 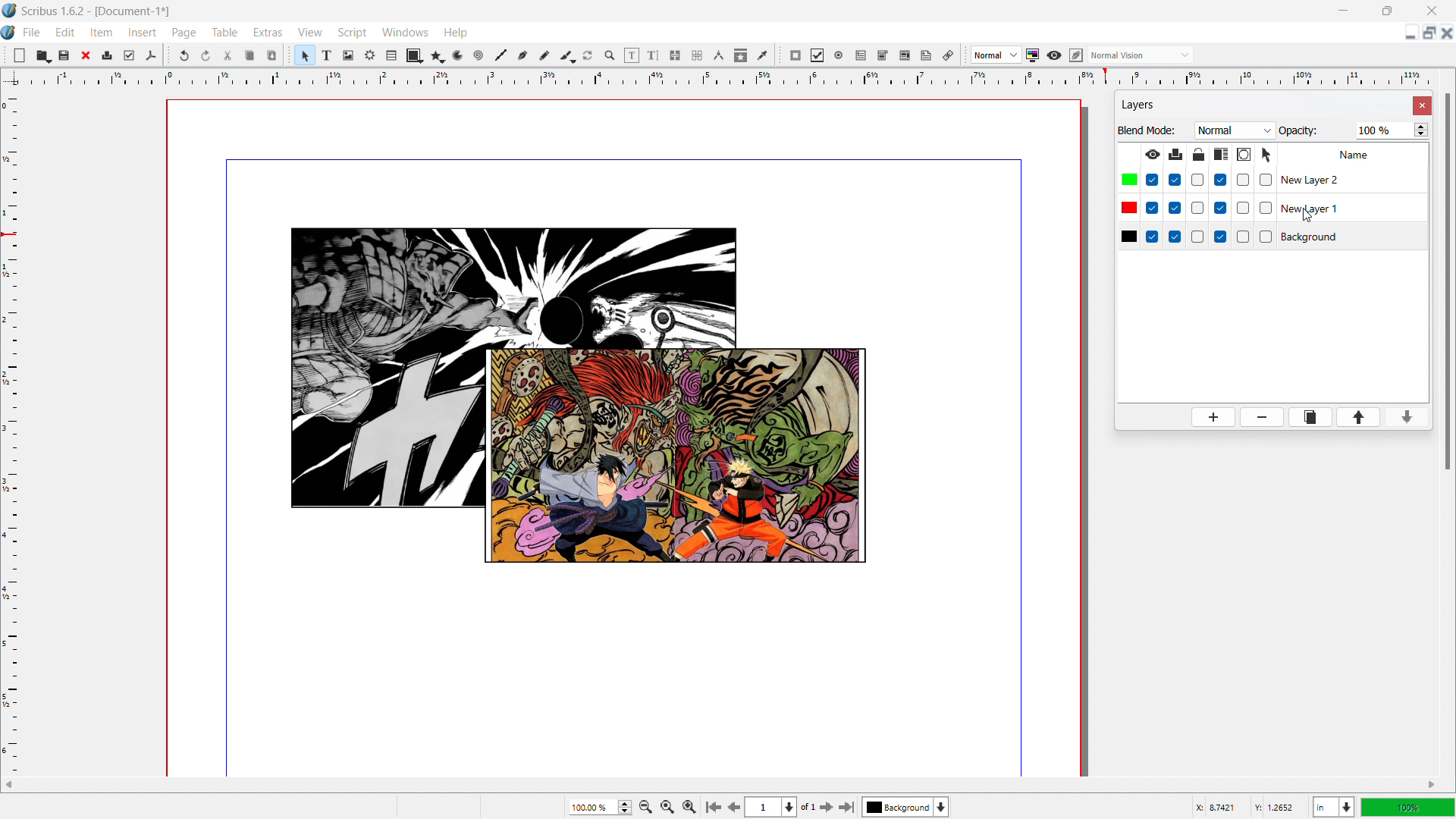 I want to click on edit in preview mode, so click(x=1076, y=55).